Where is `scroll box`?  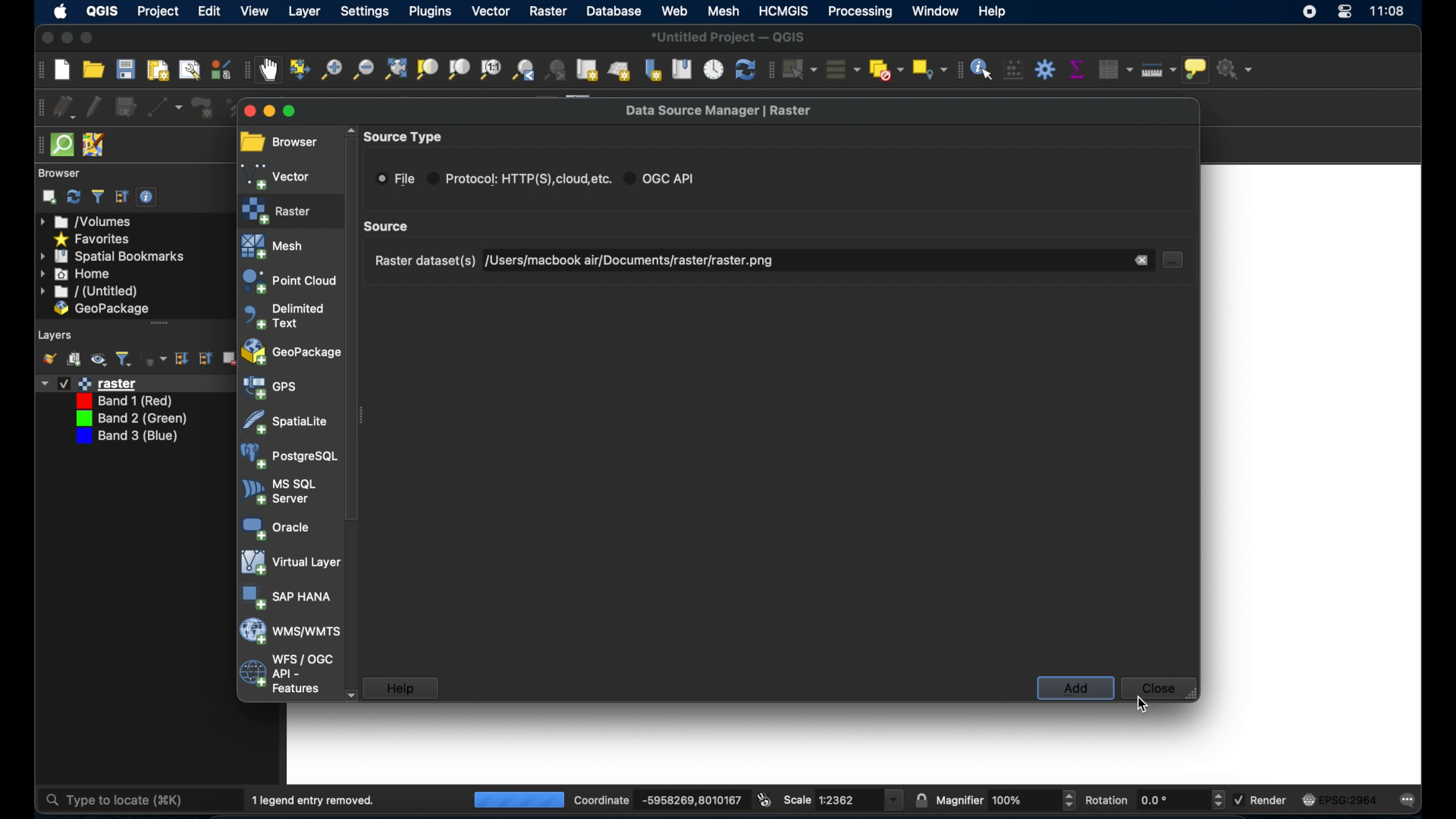 scroll box is located at coordinates (390, 227).